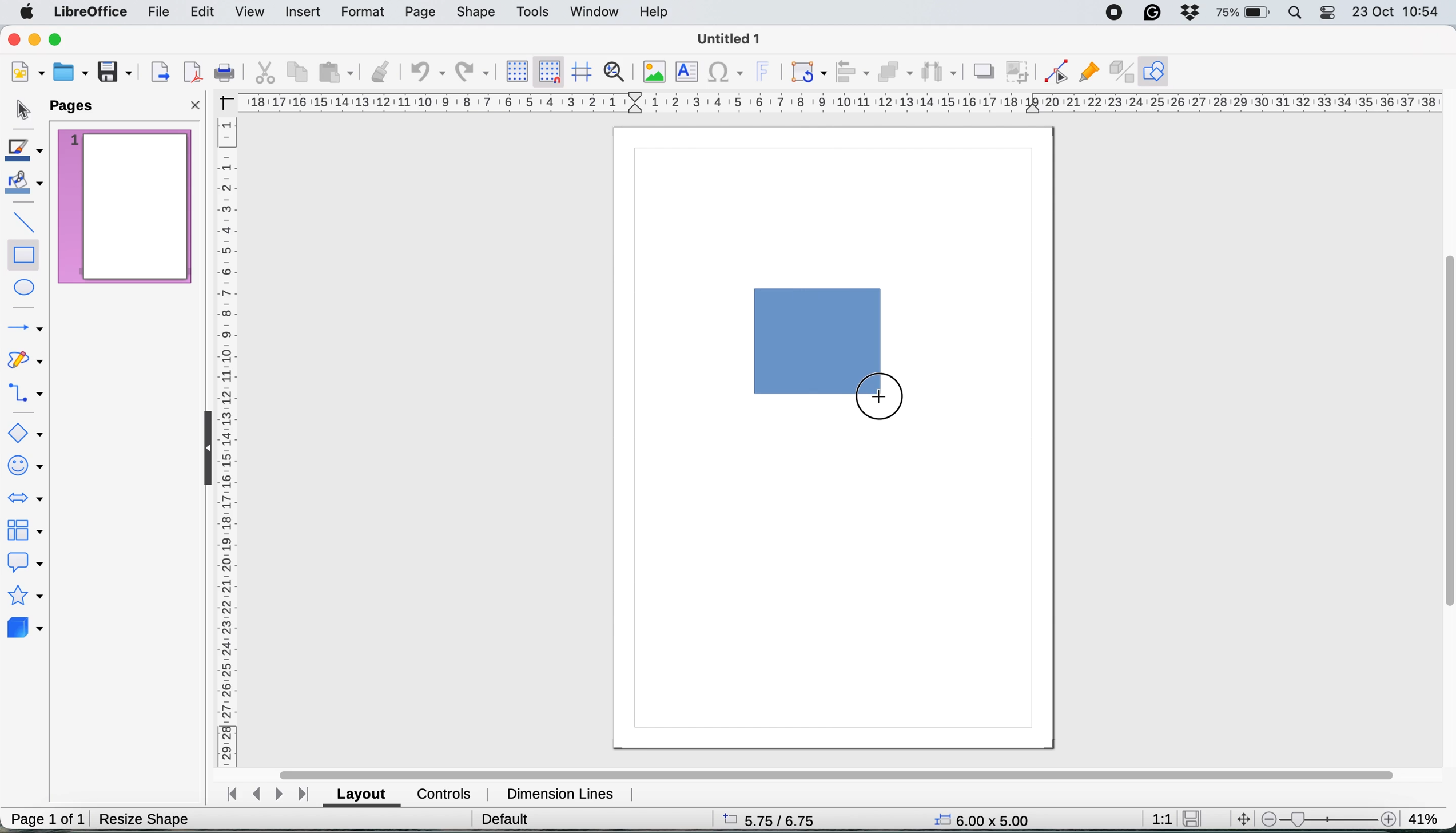  I want to click on fill color, so click(27, 187).